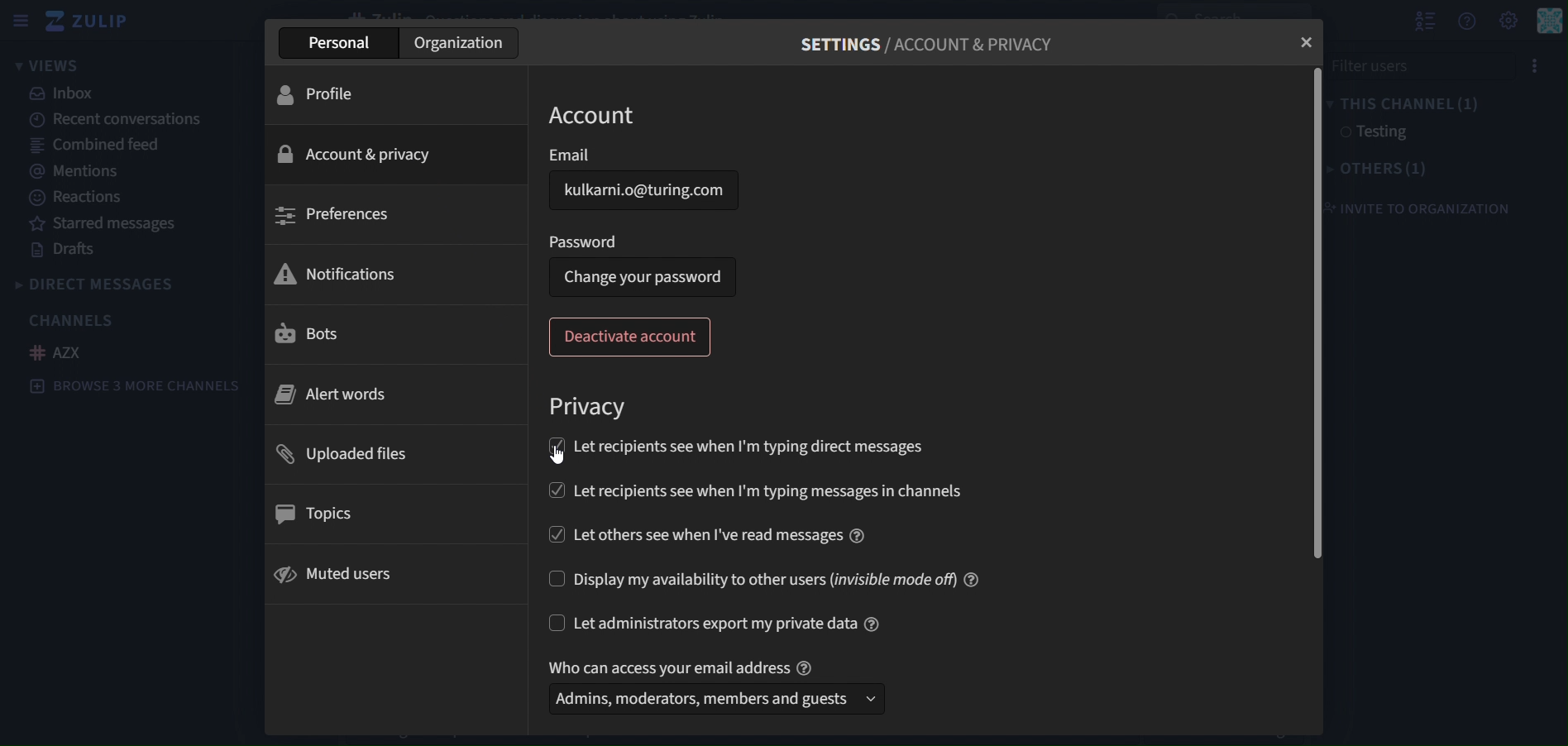 The height and width of the screenshot is (746, 1568). I want to click on account, so click(593, 116).